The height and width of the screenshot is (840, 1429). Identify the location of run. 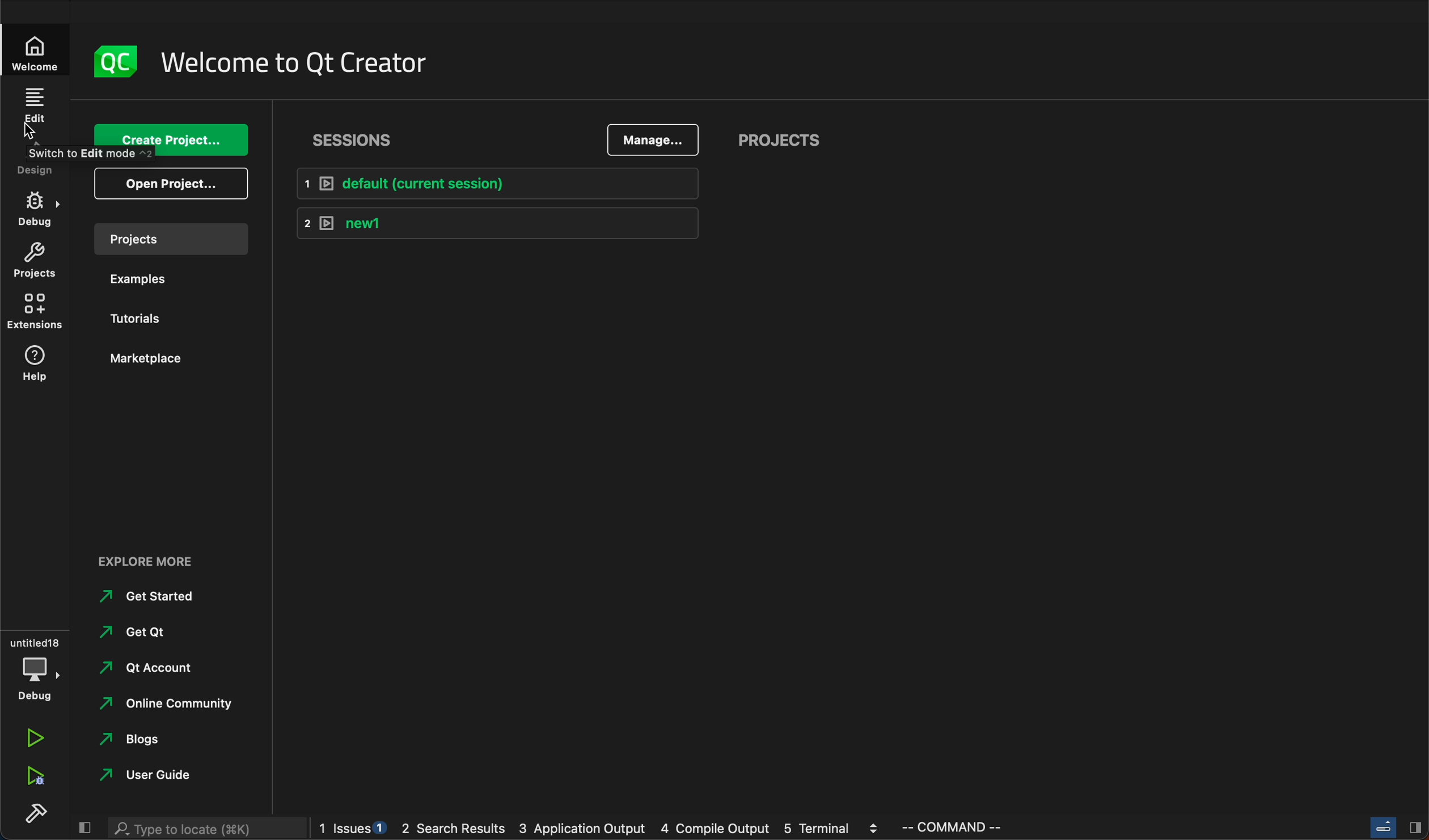
(38, 737).